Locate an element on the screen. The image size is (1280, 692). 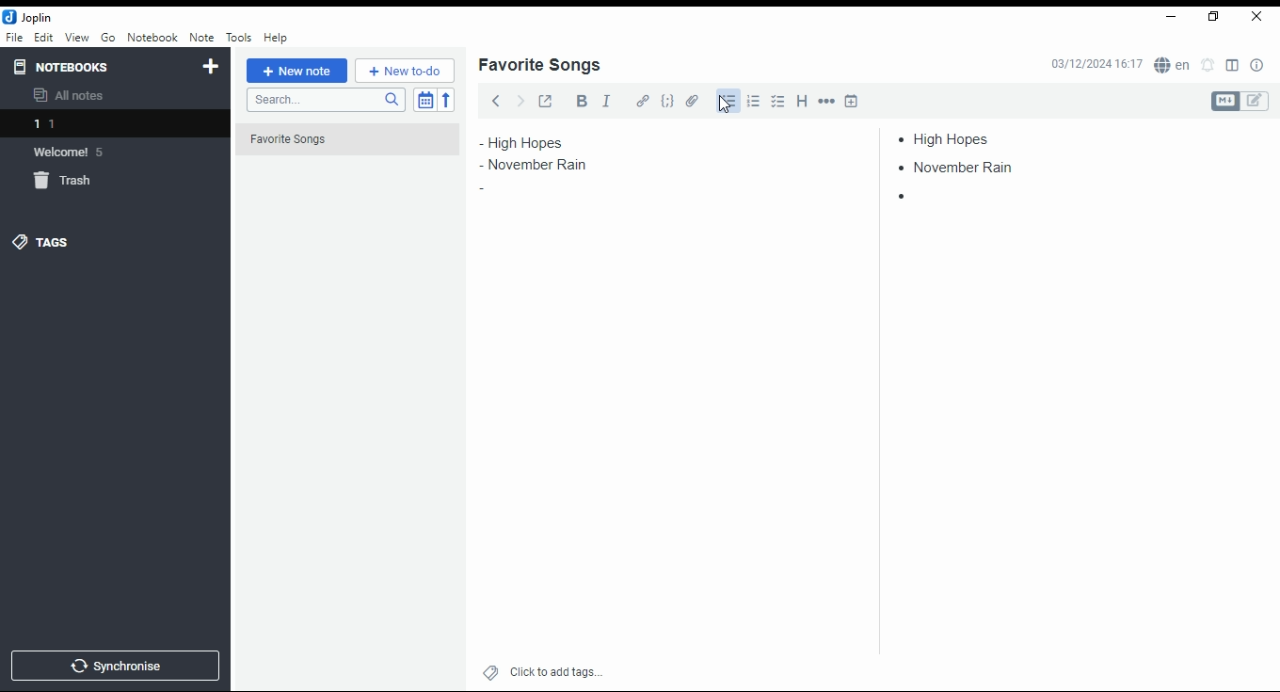
toggle external editing is located at coordinates (546, 100).